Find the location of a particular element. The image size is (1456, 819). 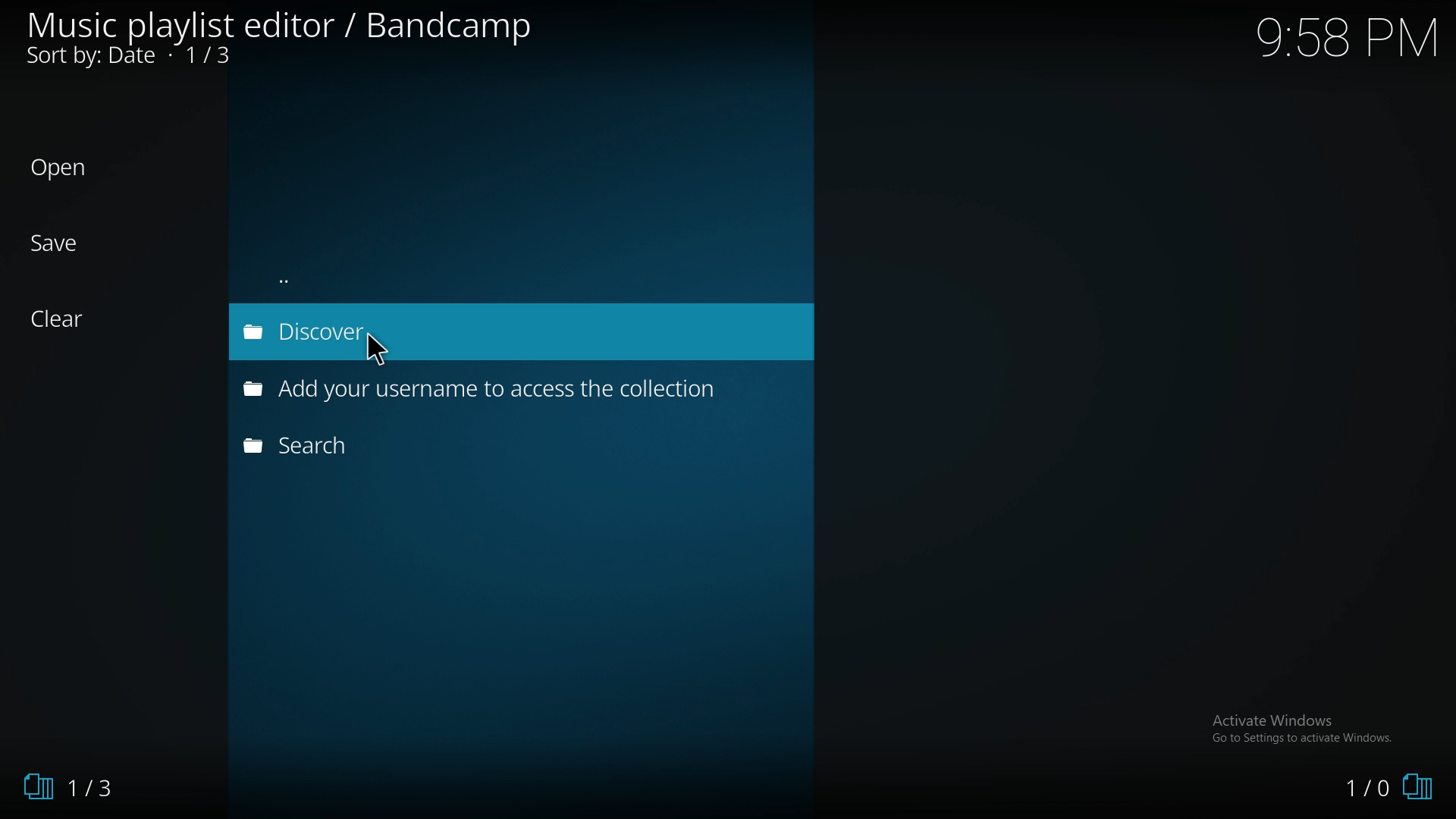

search is located at coordinates (431, 445).